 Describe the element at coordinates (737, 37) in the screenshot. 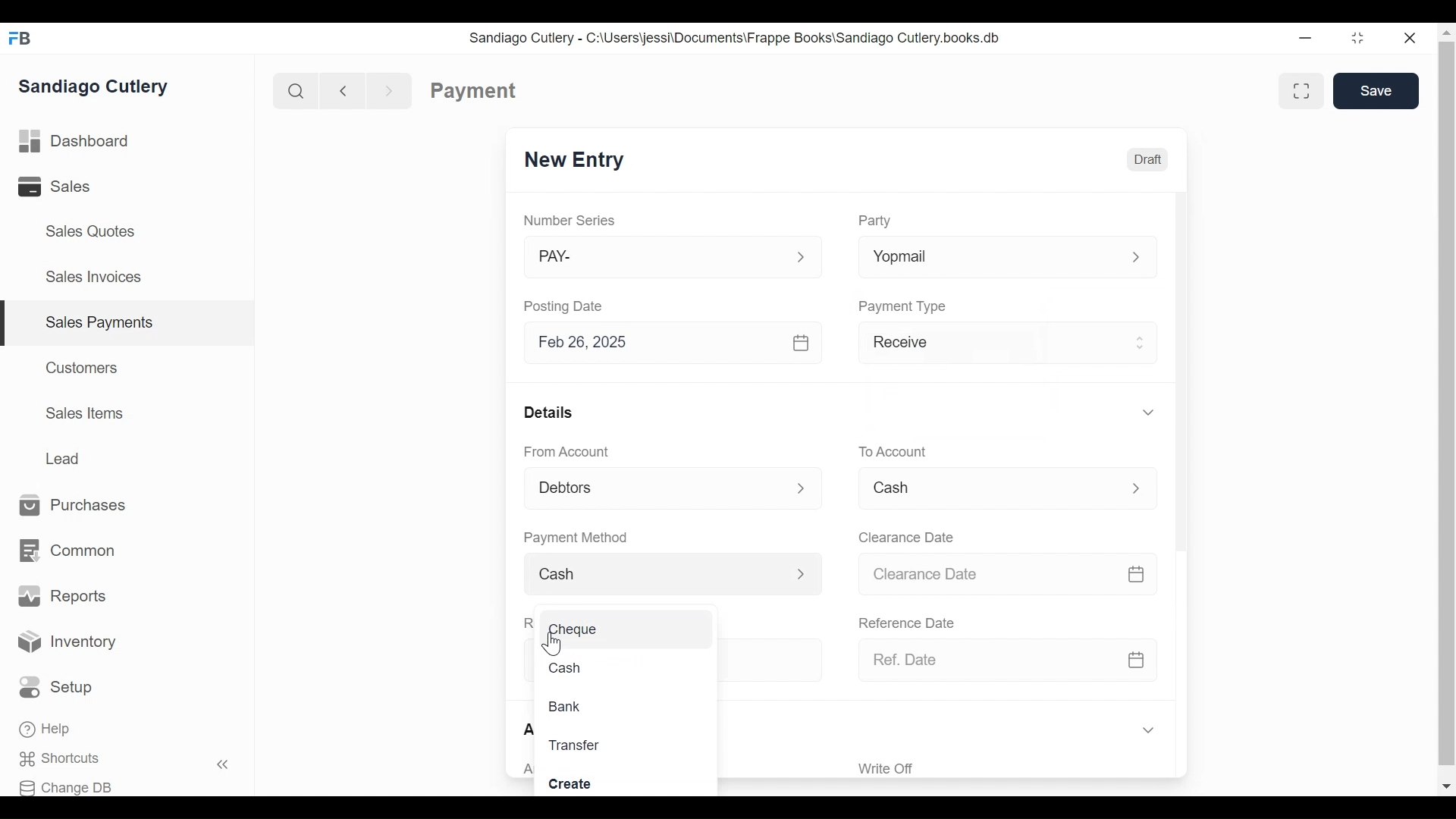

I see `Sandiago Cutlery - C:\Users\jessi\Documents\Frappe Books\Sandiago Cutlery.books.db` at that location.